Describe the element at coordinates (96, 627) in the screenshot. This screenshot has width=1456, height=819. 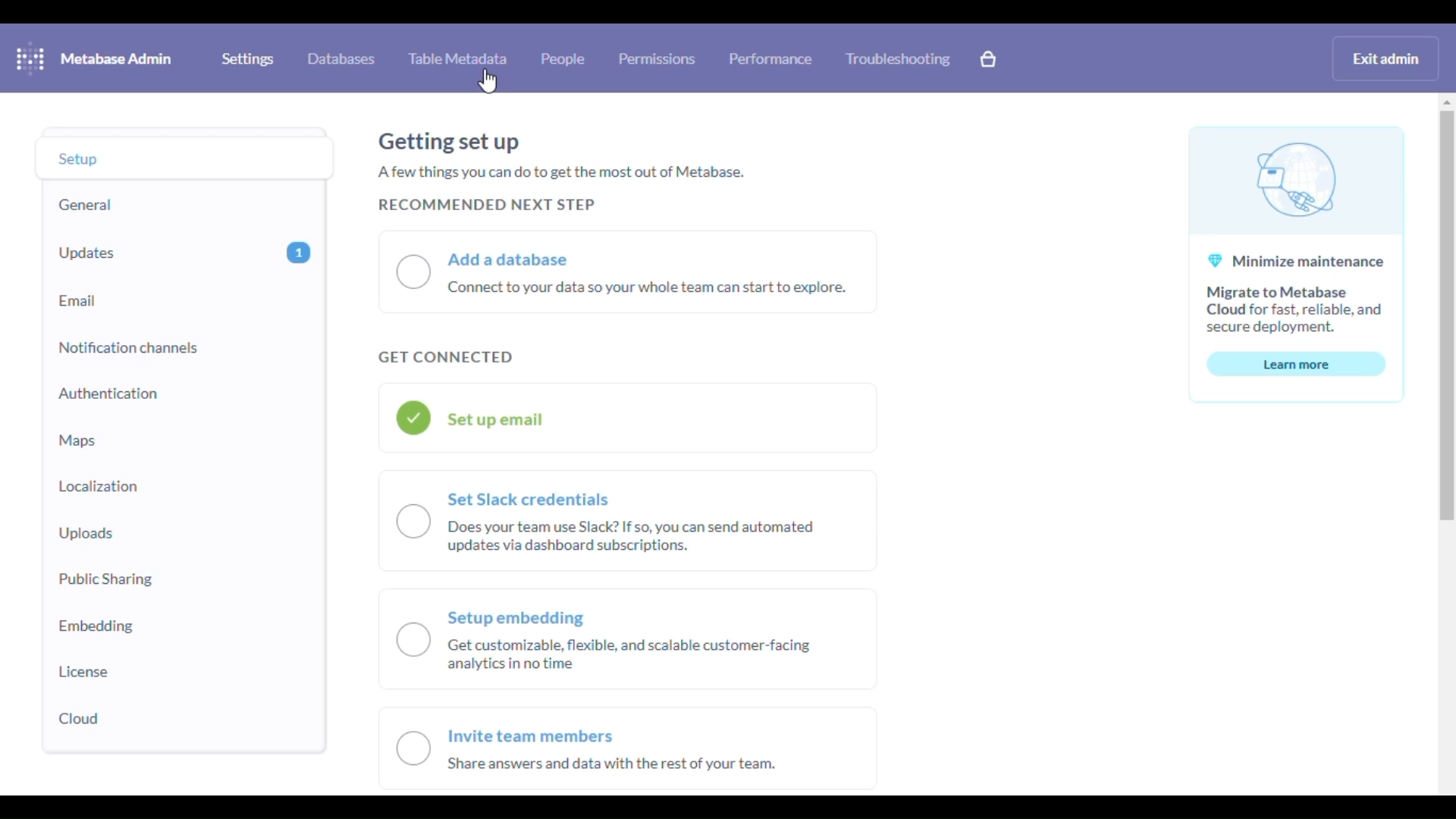
I see `embedding` at that location.